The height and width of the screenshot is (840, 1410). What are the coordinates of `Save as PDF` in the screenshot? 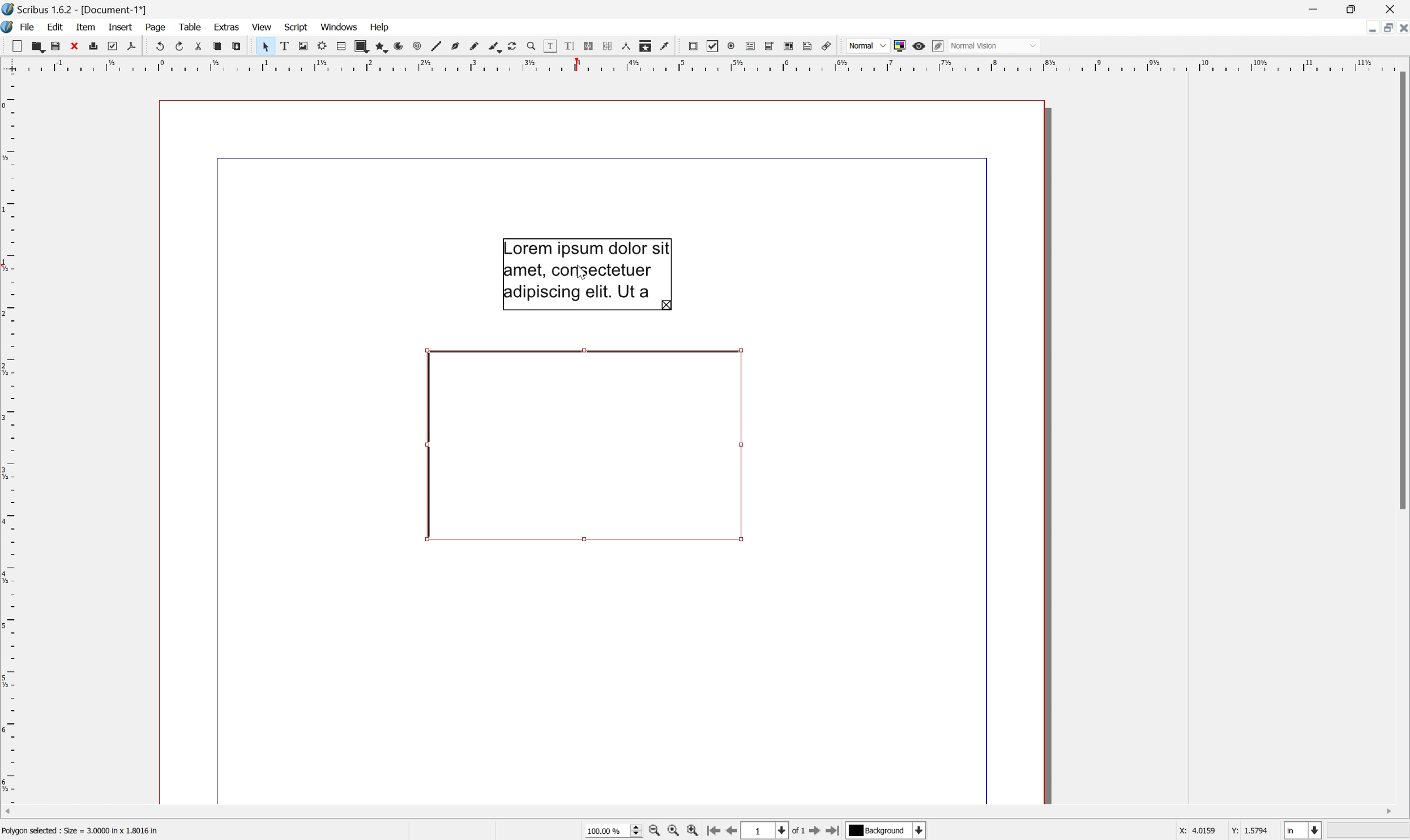 It's located at (131, 48).